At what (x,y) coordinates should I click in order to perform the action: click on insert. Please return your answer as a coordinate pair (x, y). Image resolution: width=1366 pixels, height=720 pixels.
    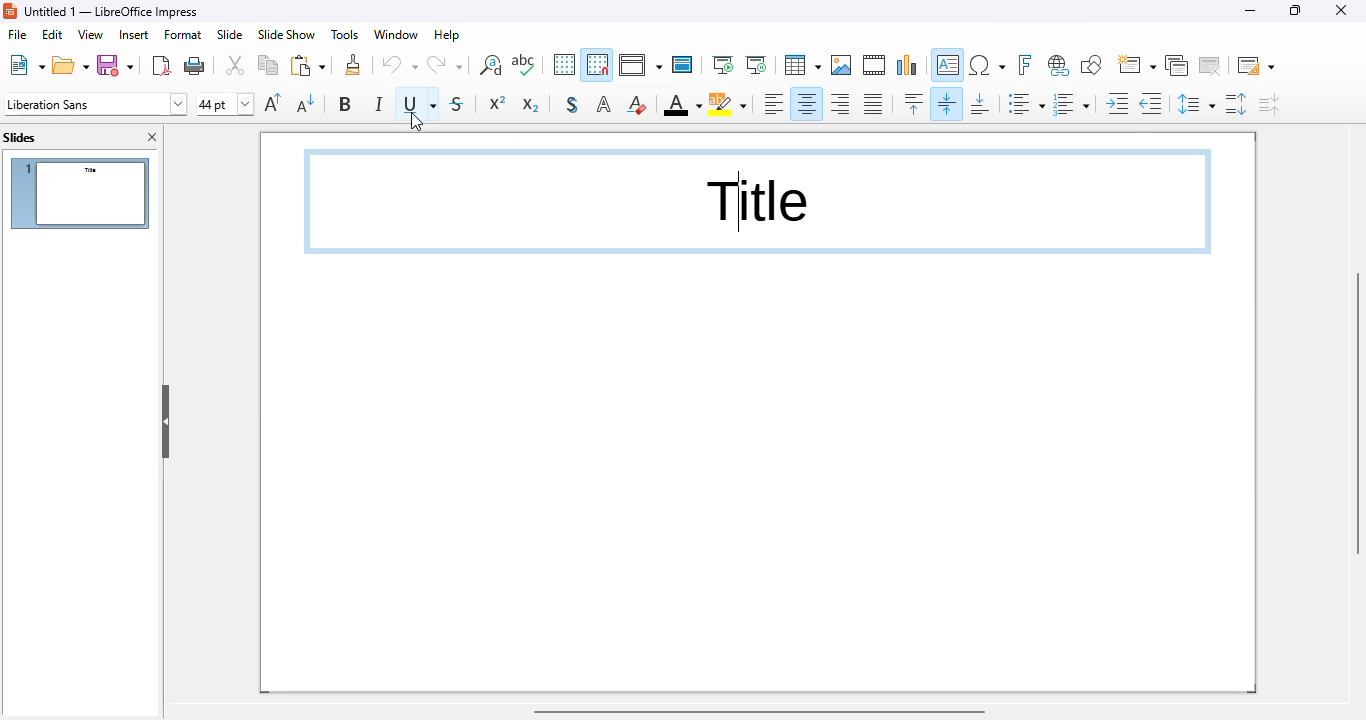
    Looking at the image, I should click on (134, 35).